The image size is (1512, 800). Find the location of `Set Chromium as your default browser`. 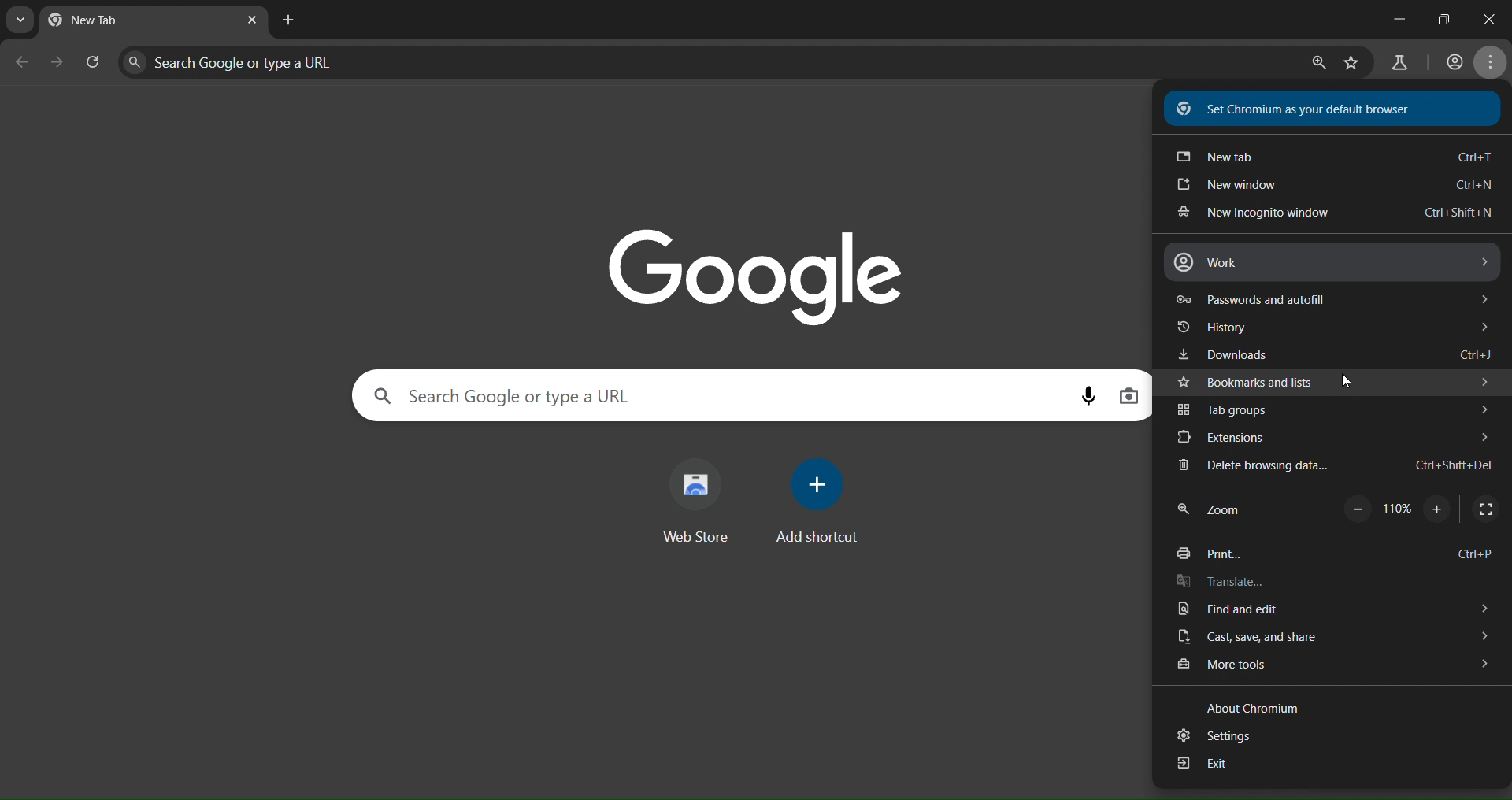

Set Chromium as your default browser is located at coordinates (1332, 108).